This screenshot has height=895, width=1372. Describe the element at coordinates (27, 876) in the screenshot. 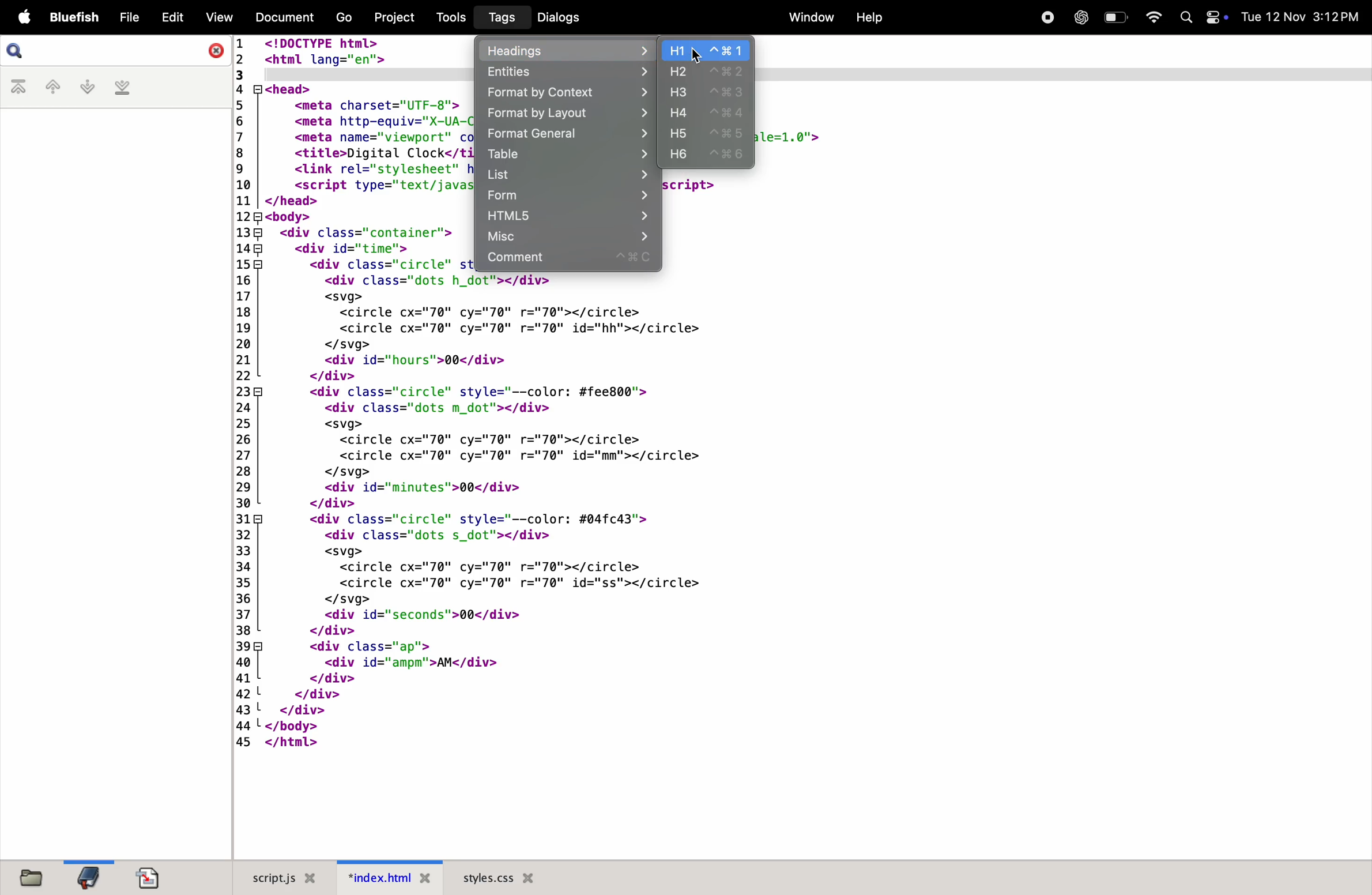

I see `new file` at that location.